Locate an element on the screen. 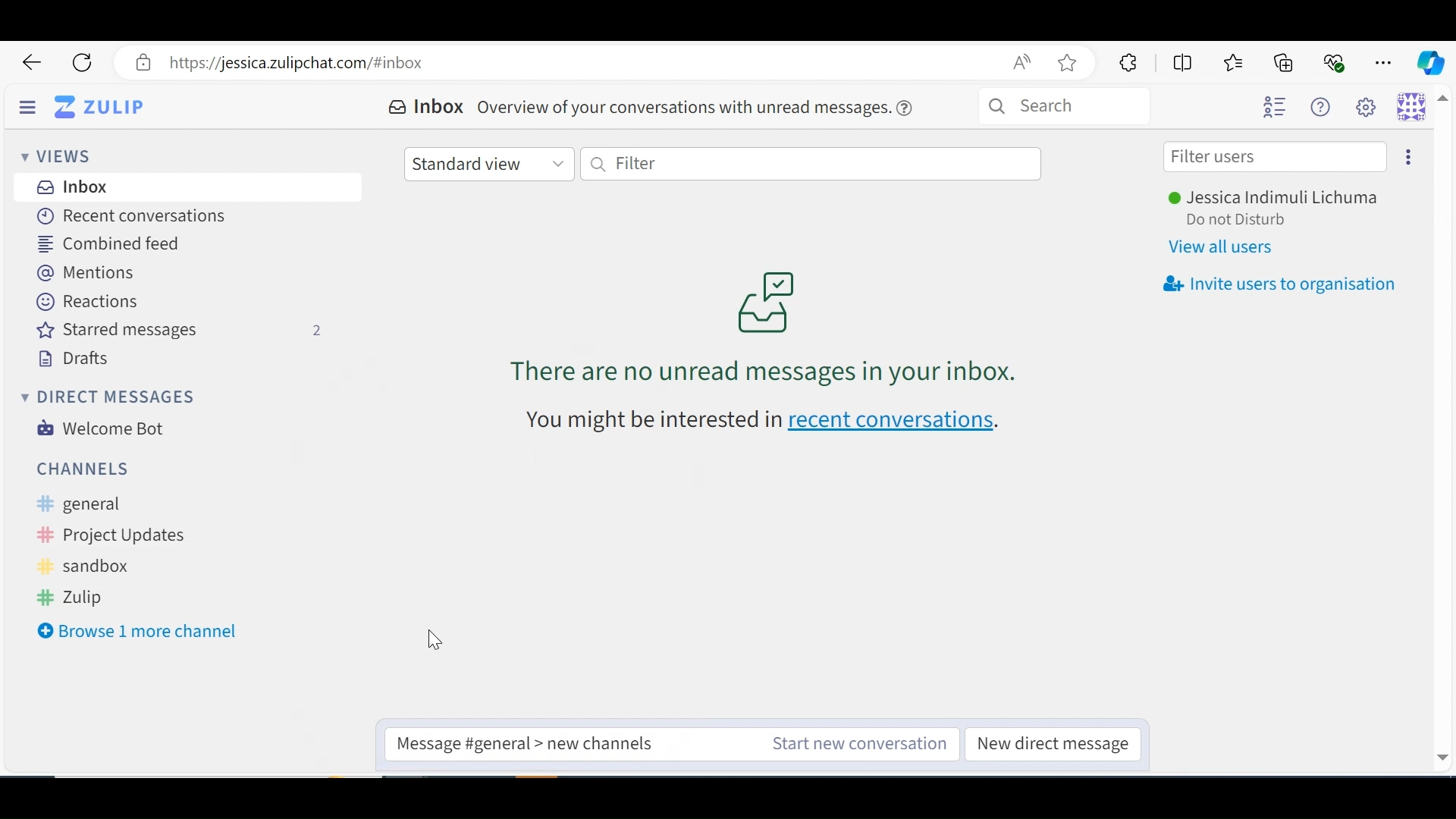 The height and width of the screenshot is (819, 1456). Recent Conversations is located at coordinates (126, 215).